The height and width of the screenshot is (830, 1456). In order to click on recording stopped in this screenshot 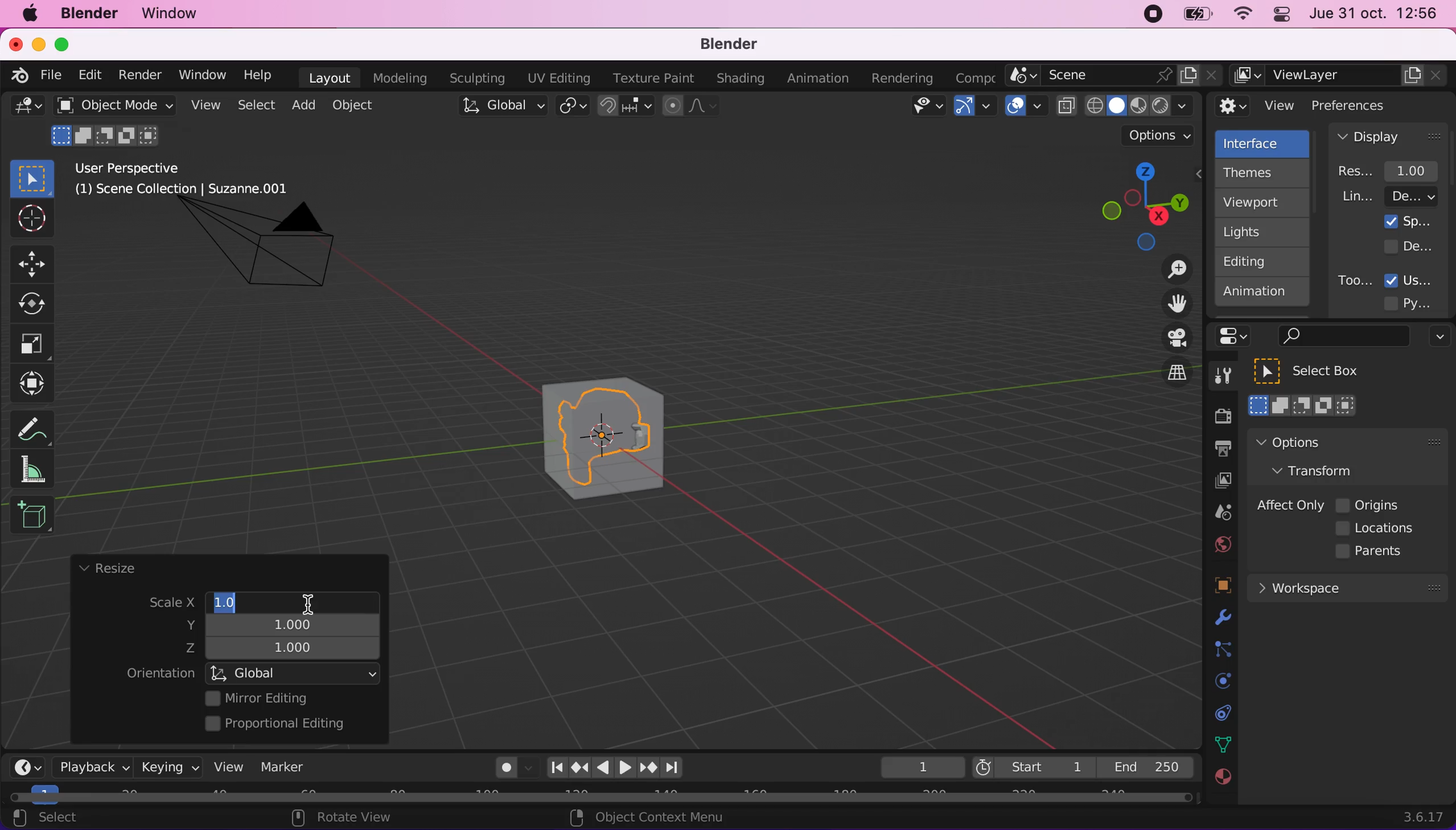, I will do `click(1148, 16)`.